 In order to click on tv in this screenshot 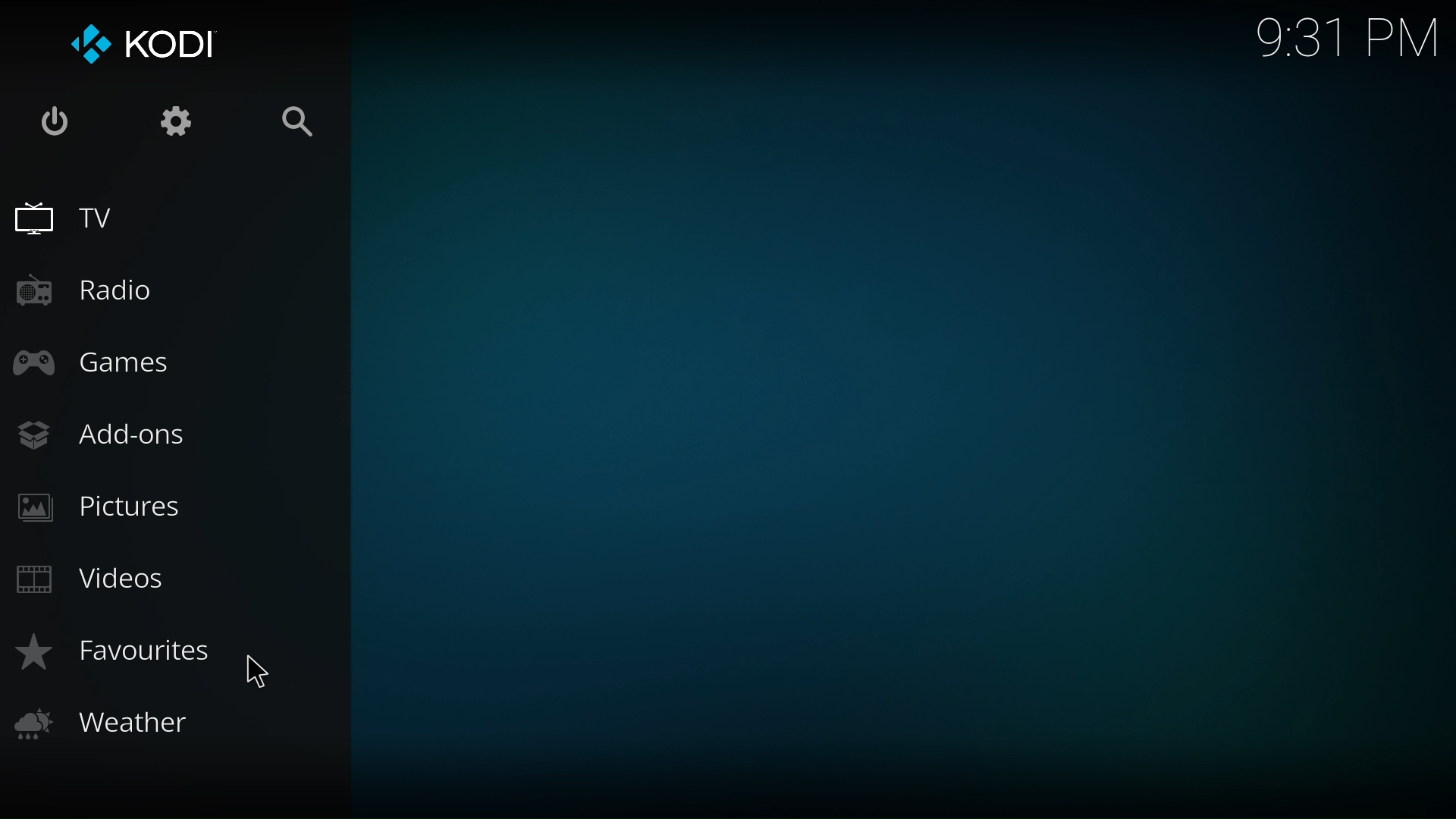, I will do `click(71, 224)`.